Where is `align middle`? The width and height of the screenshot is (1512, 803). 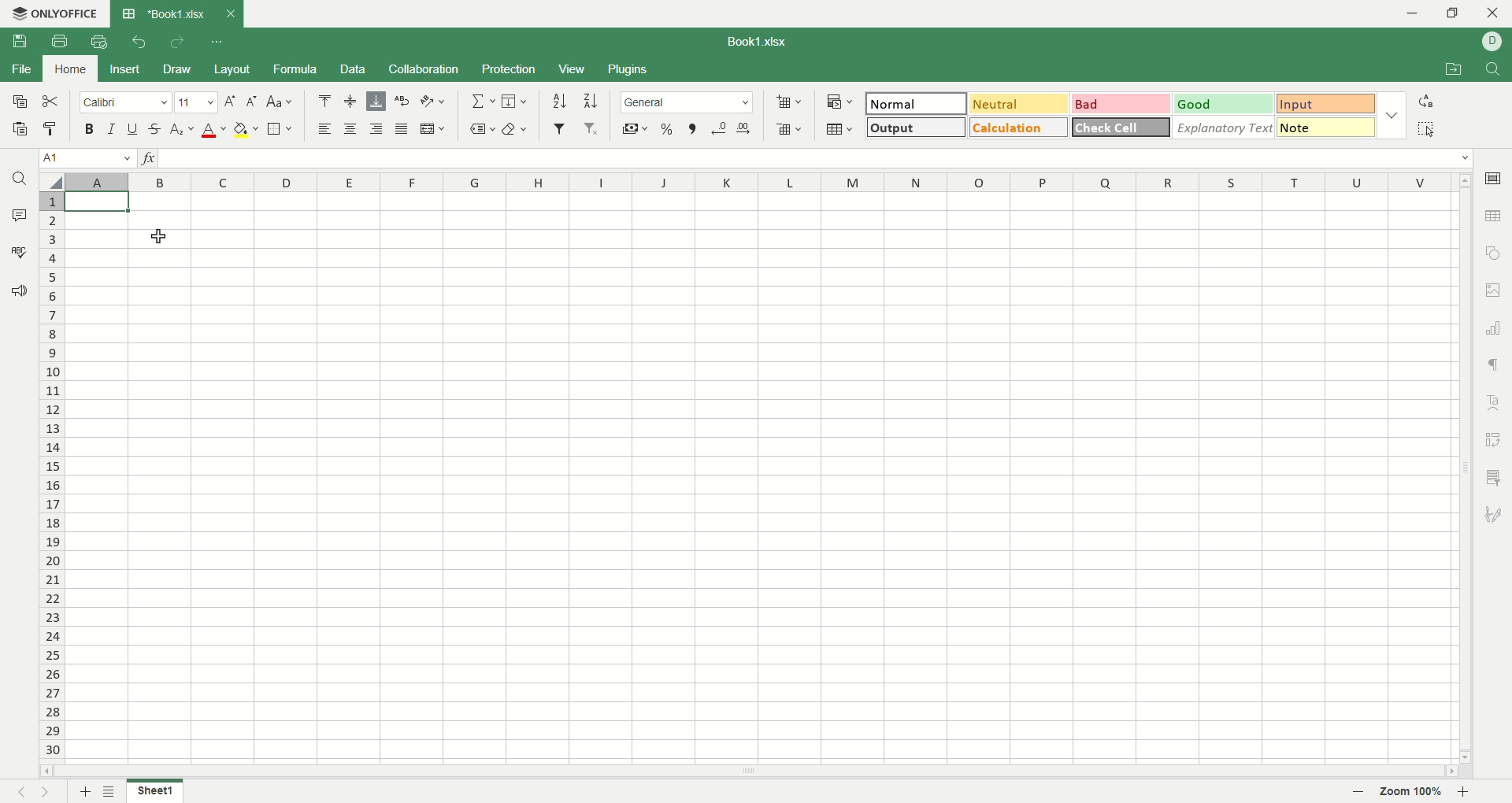 align middle is located at coordinates (353, 102).